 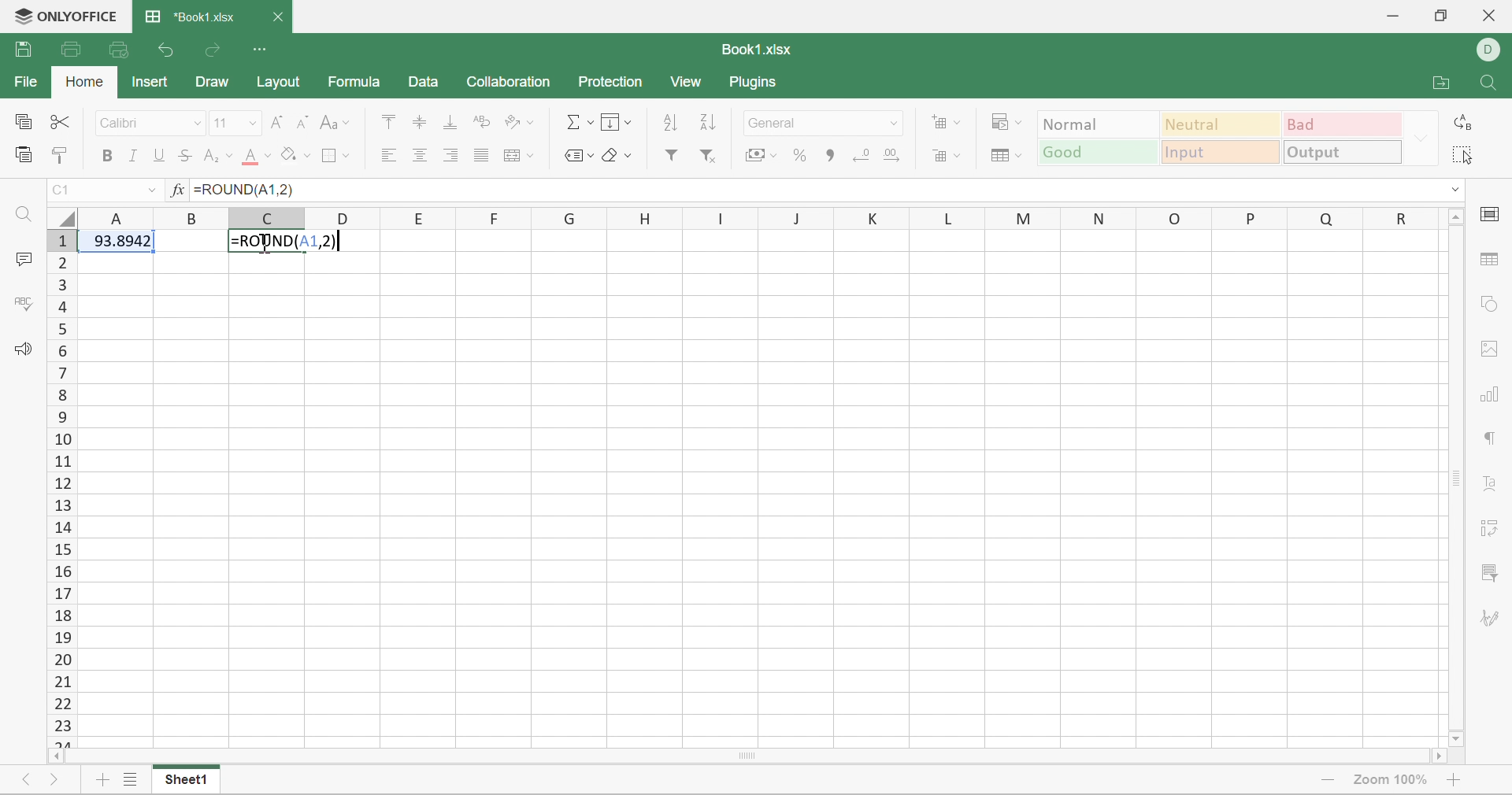 What do you see at coordinates (420, 121) in the screenshot?
I see `Align Middle` at bounding box center [420, 121].